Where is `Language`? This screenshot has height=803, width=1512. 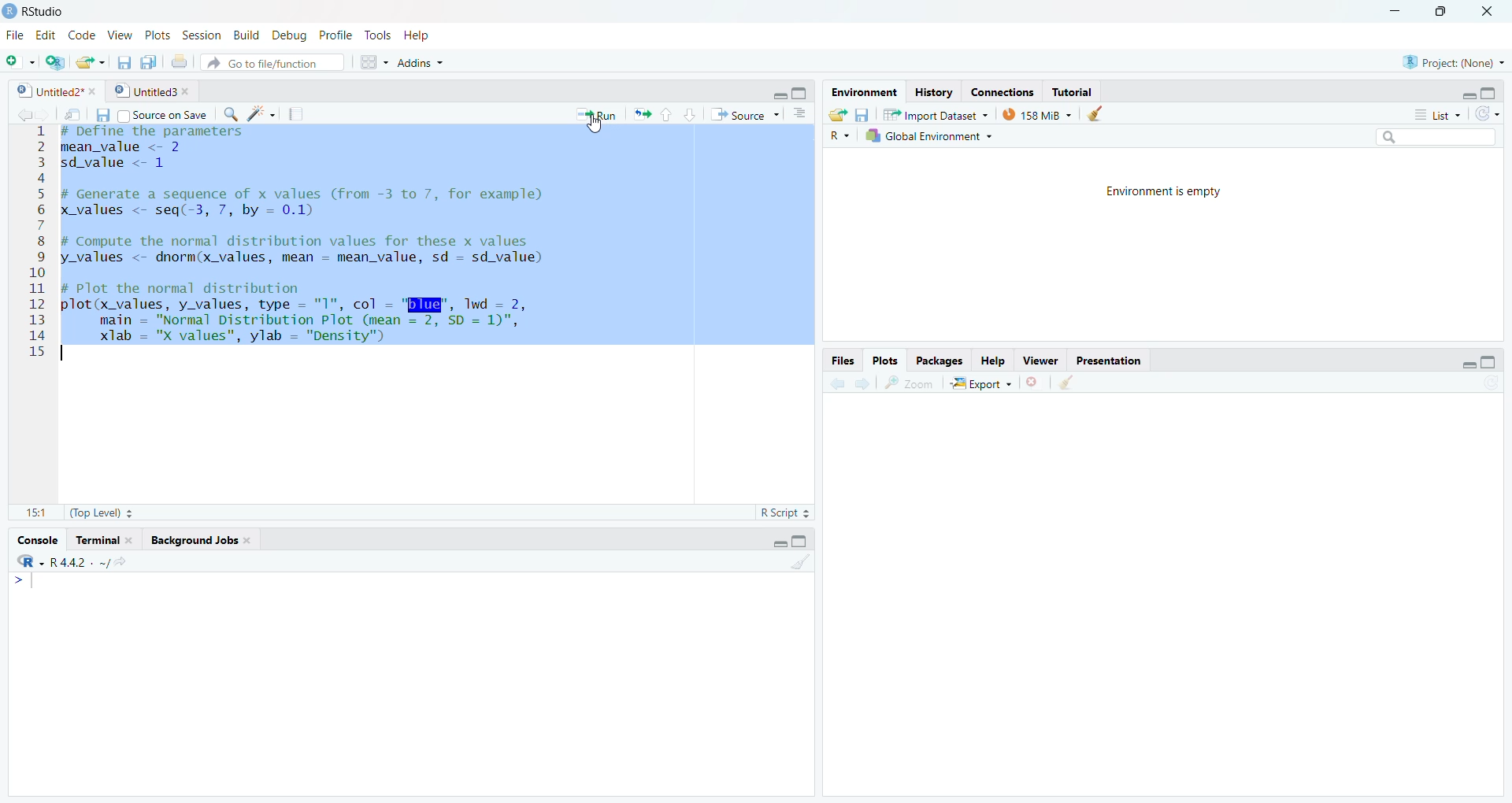 Language is located at coordinates (19, 561).